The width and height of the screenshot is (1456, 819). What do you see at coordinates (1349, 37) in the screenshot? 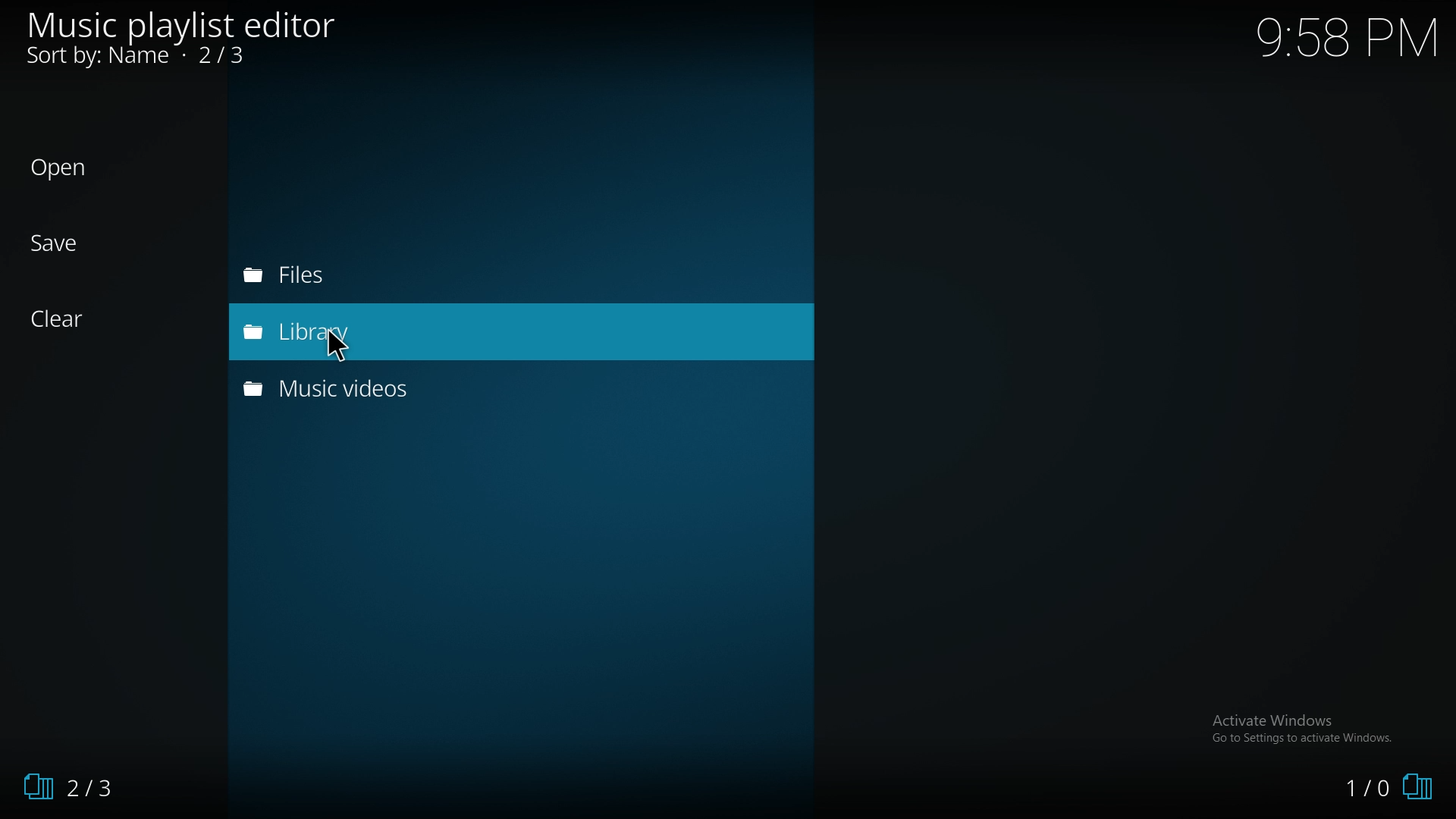
I see `9:58 PM` at bounding box center [1349, 37].